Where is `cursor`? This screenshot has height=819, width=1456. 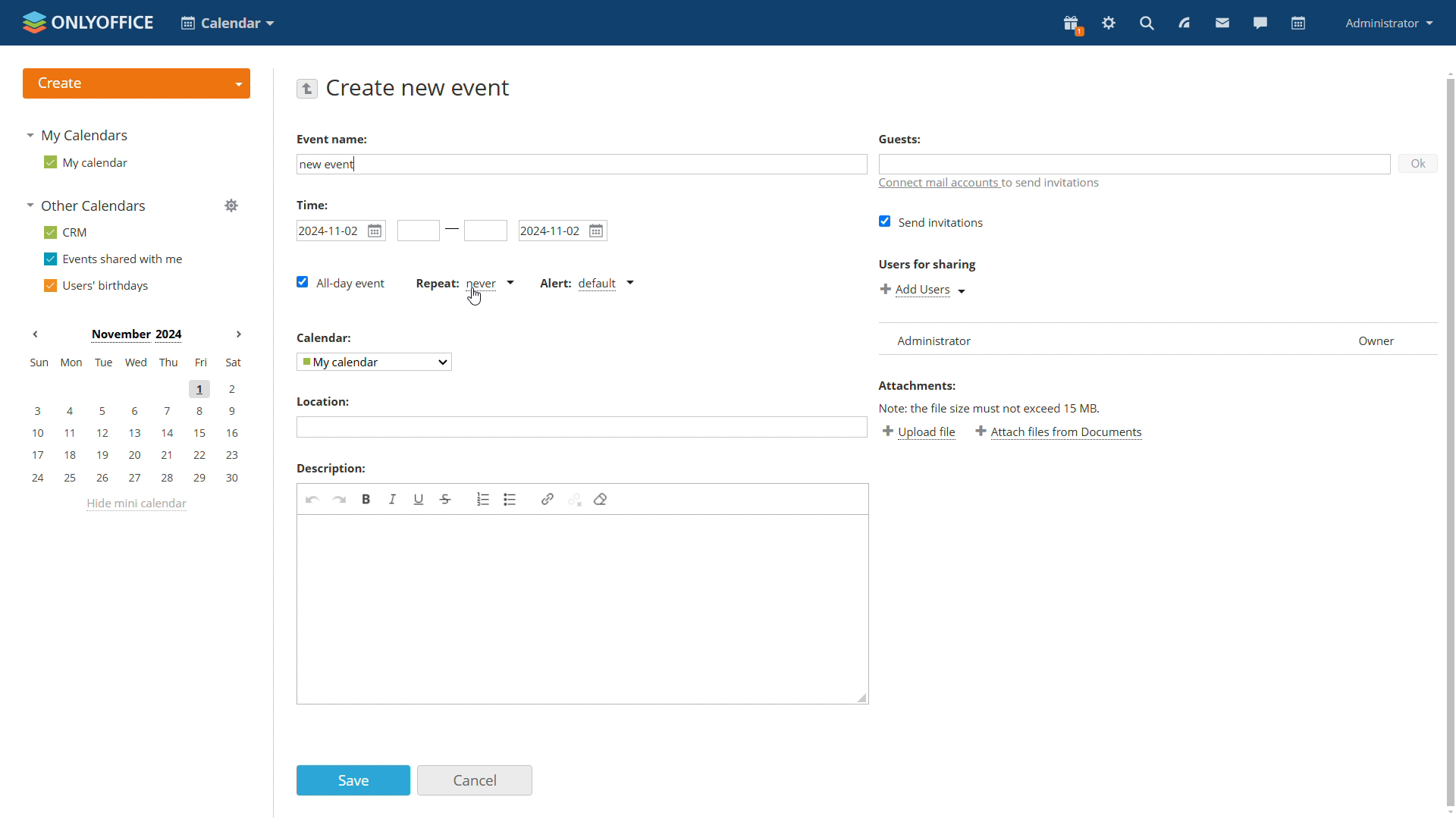 cursor is located at coordinates (475, 296).